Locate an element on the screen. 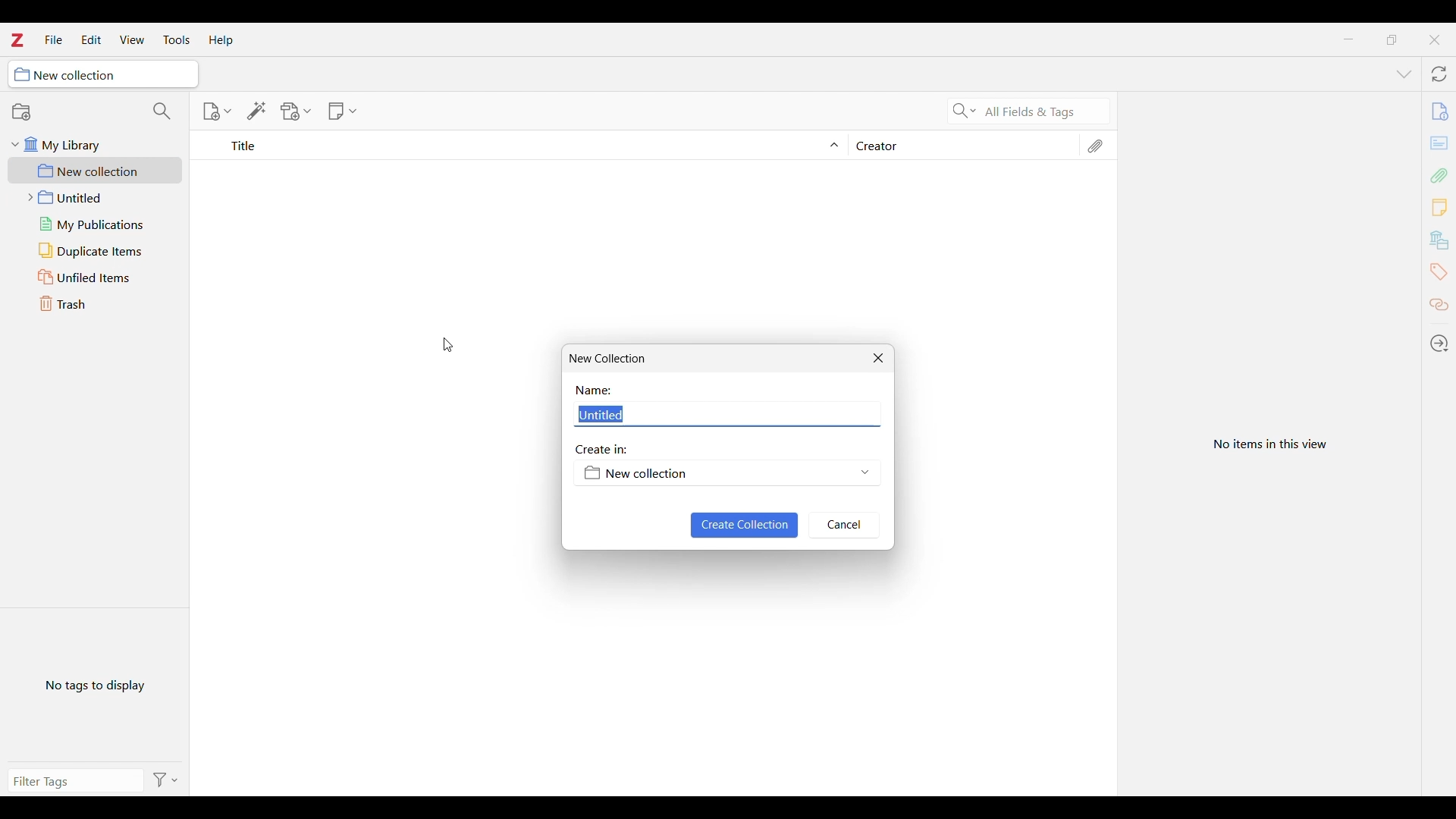 This screenshot has width=1456, height=819. cards is located at coordinates (1441, 145).